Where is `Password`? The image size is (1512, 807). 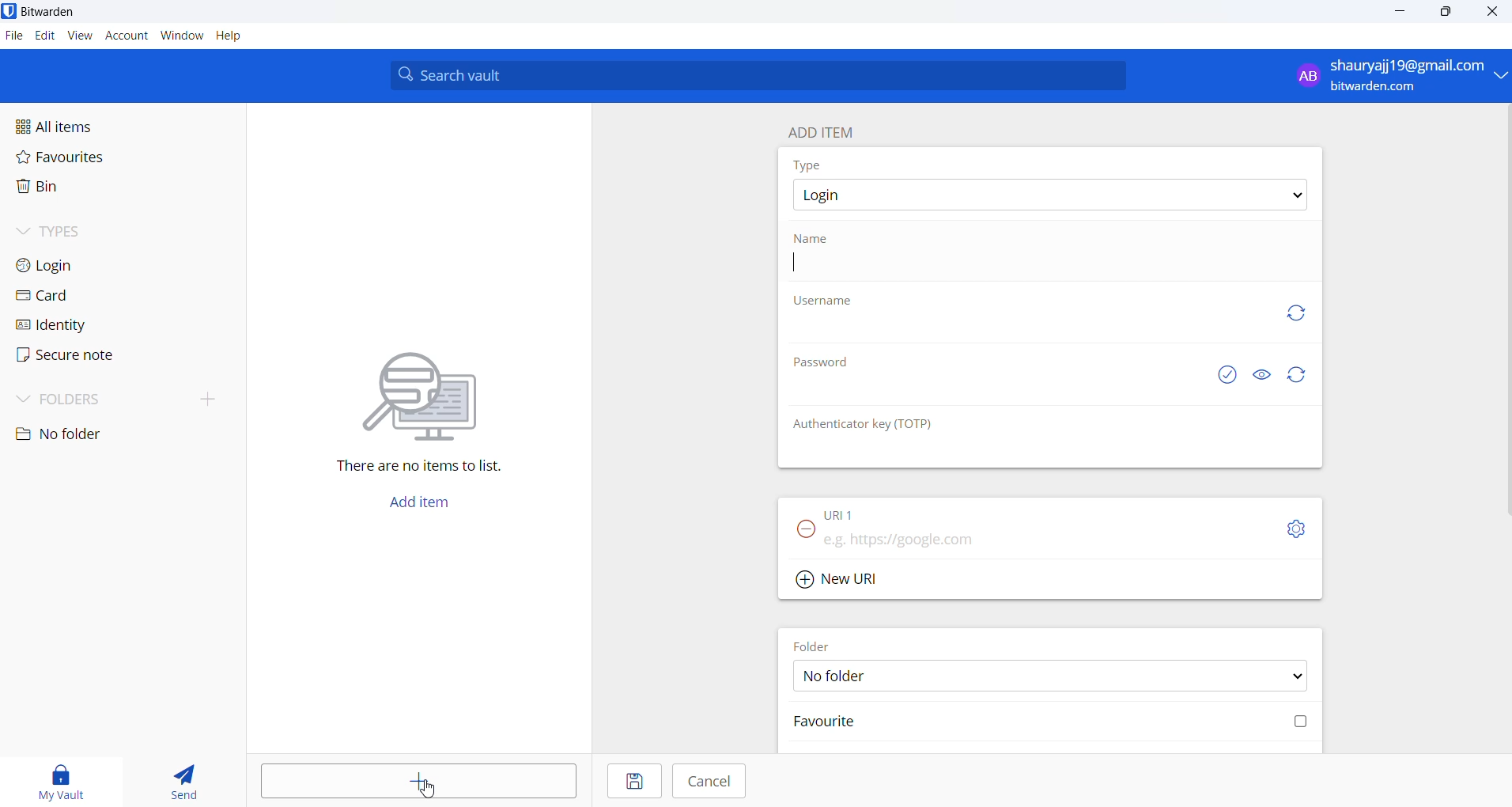
Password is located at coordinates (826, 366).